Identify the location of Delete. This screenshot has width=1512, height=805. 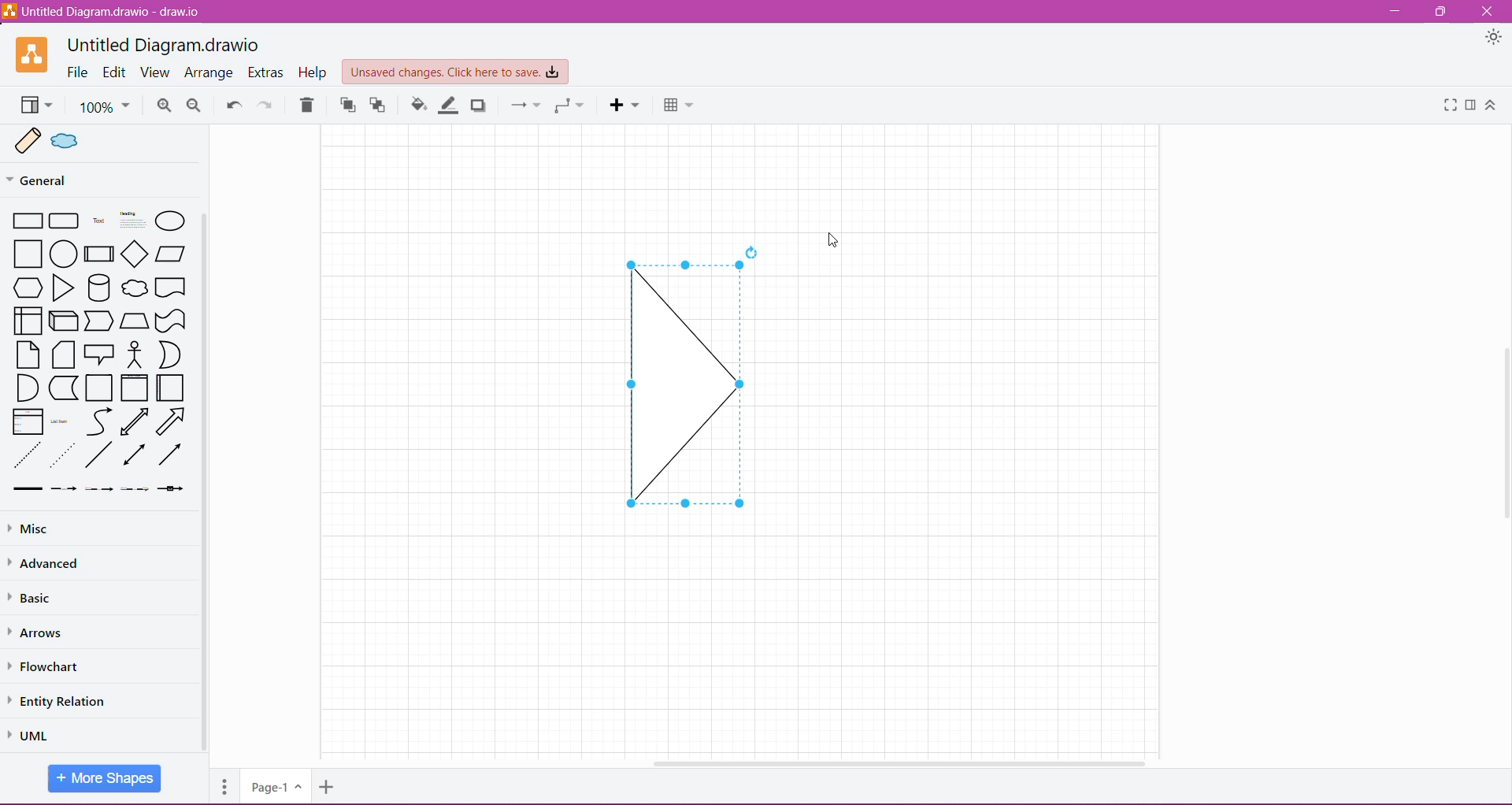
(308, 106).